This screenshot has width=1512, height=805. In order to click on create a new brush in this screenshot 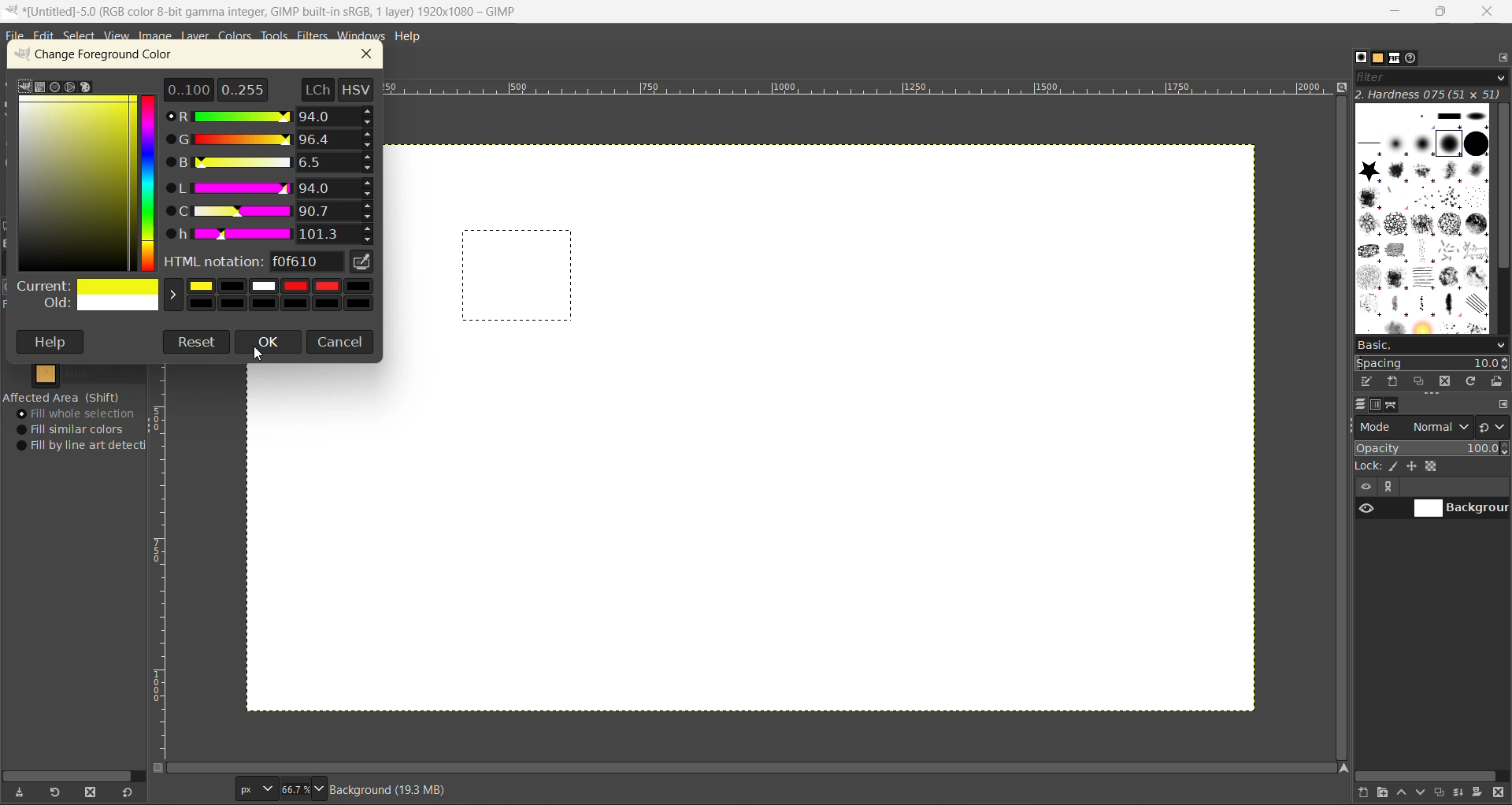, I will do `click(1395, 380)`.